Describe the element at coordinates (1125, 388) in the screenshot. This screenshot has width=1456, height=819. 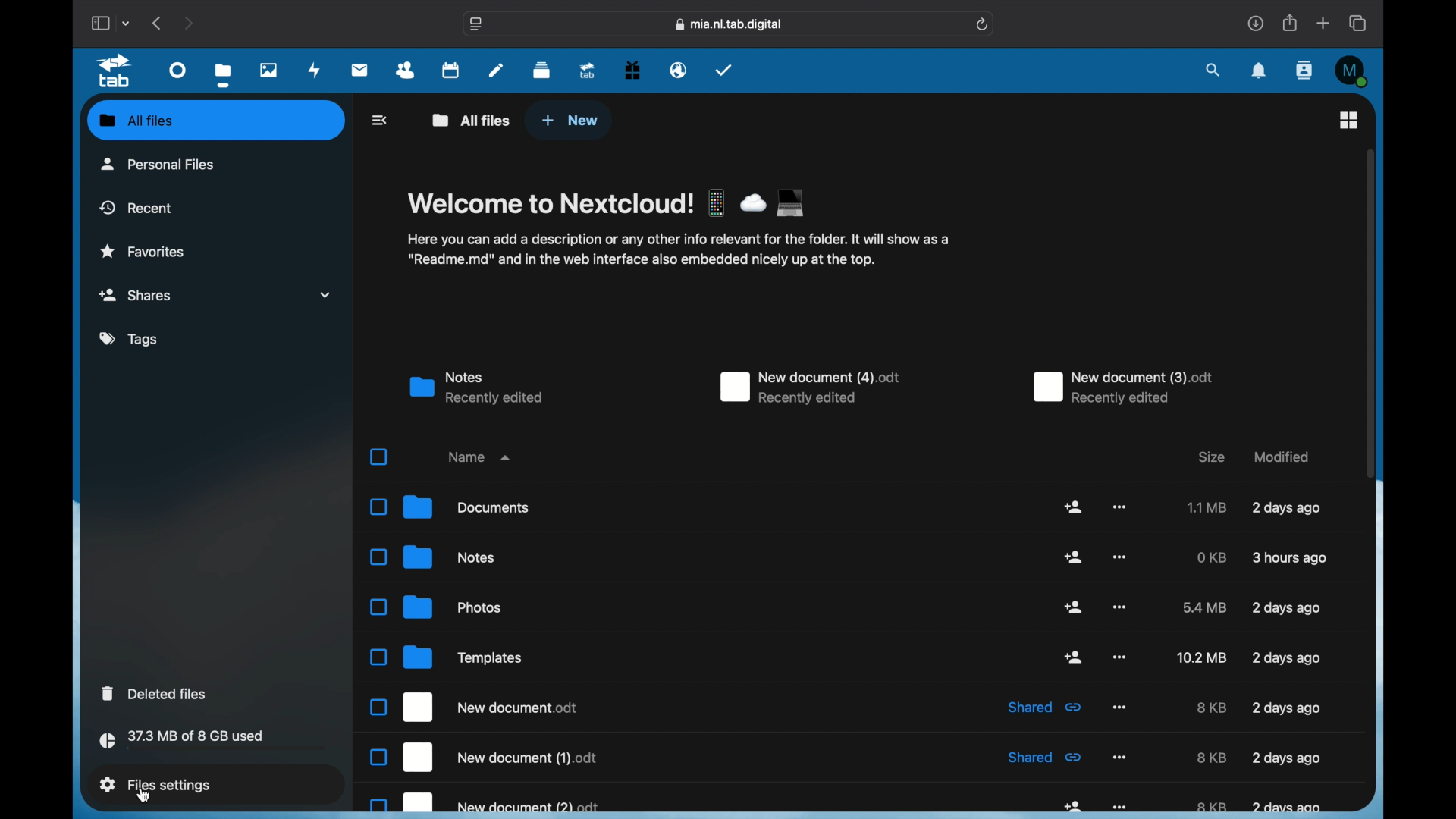
I see `new document` at that location.